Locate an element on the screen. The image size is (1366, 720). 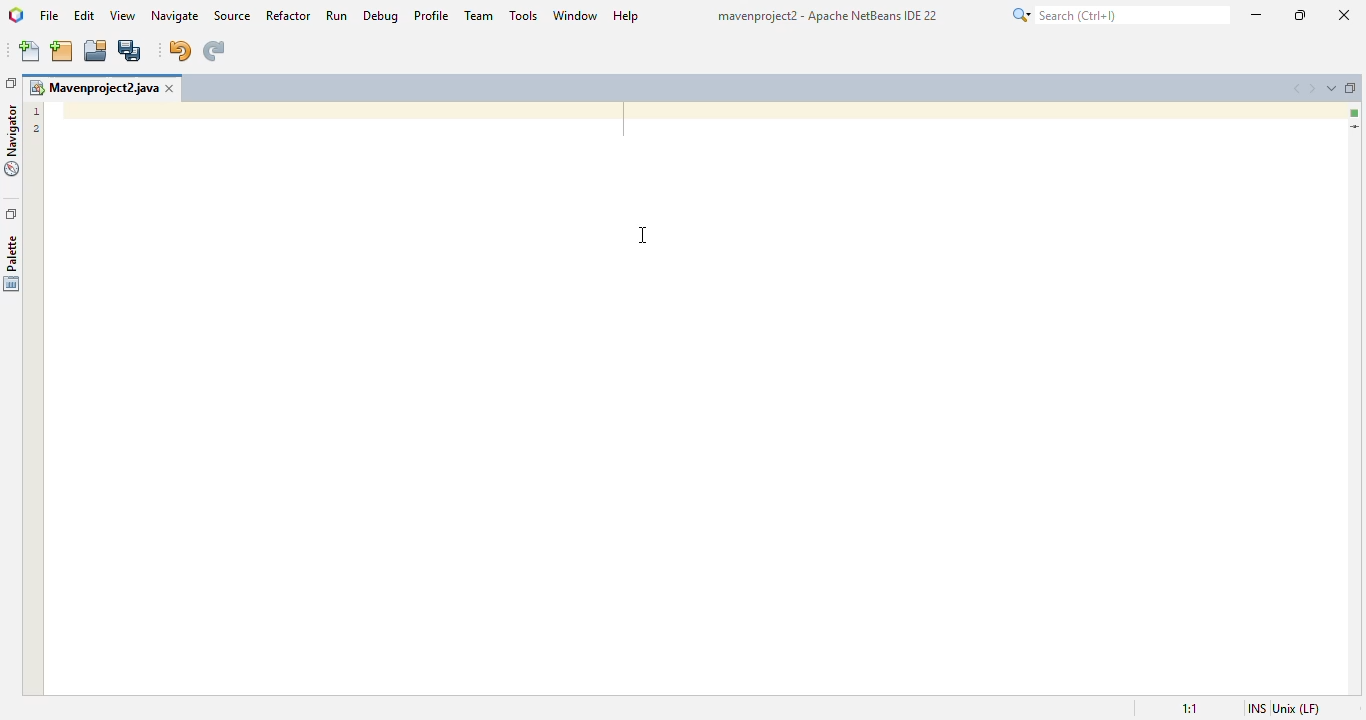
navigate is located at coordinates (175, 16).